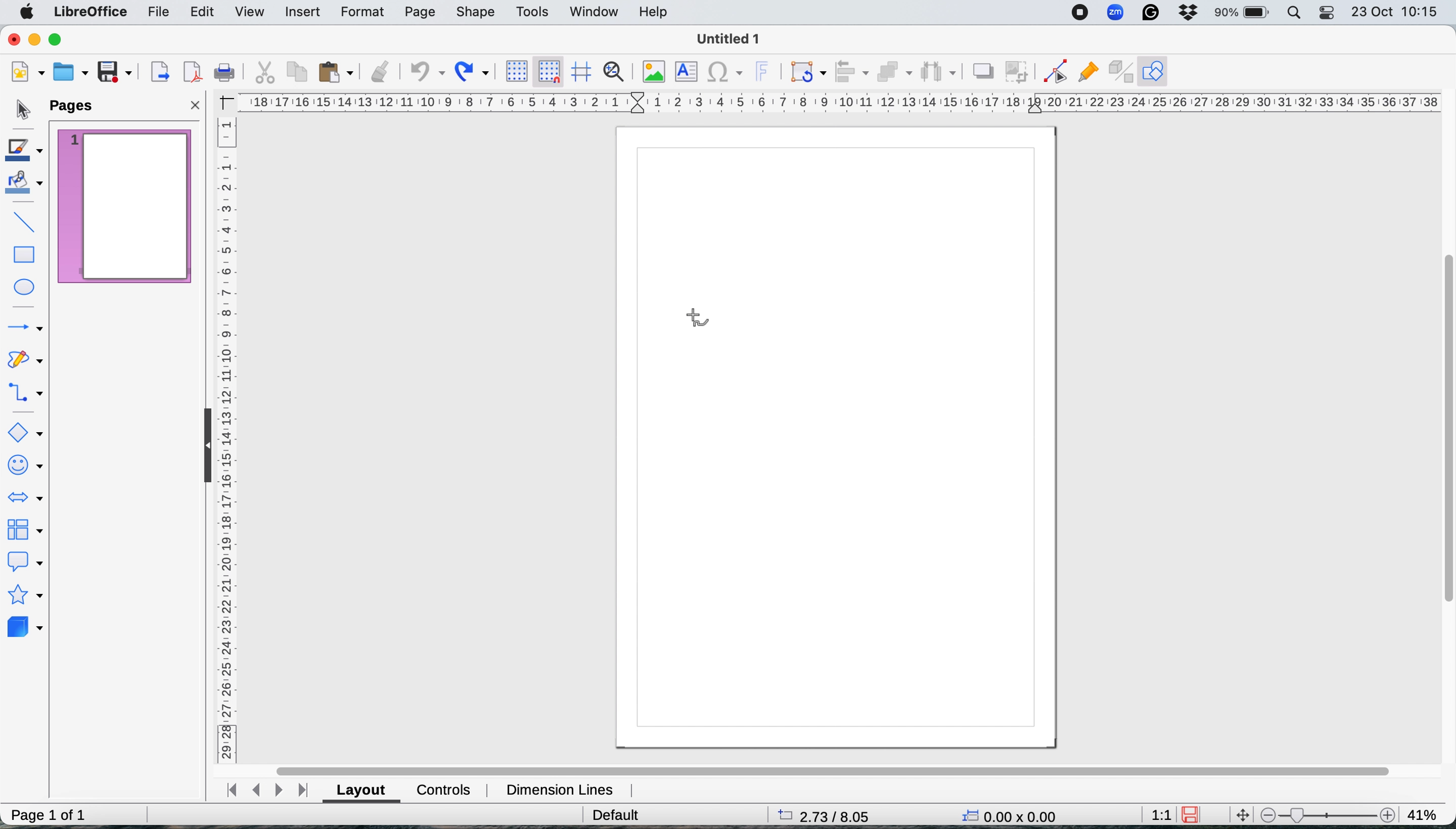  I want to click on line color, so click(23, 149).